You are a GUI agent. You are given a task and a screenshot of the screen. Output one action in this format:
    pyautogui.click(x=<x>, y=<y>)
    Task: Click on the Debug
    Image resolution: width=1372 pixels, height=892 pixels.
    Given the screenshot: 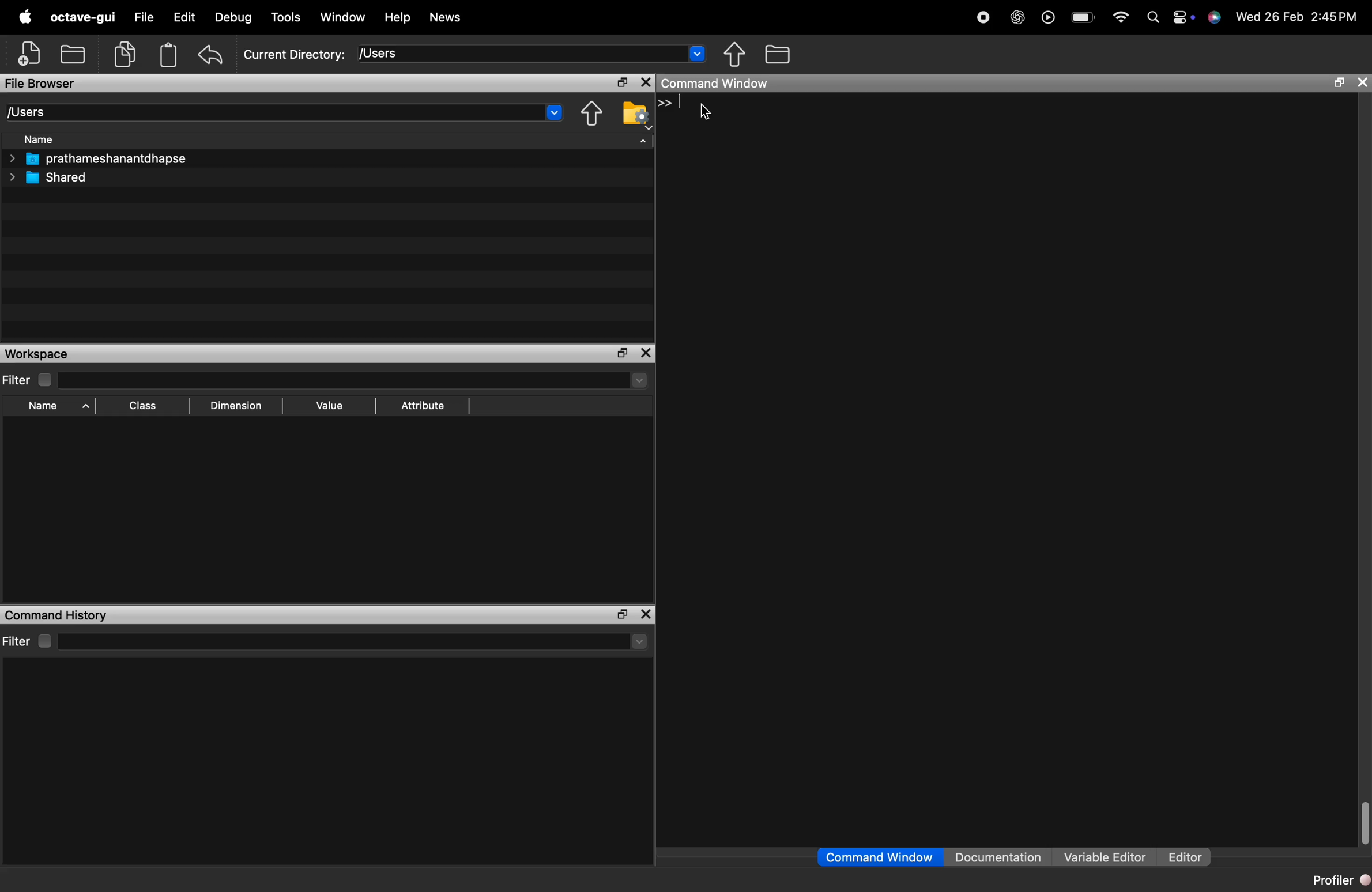 What is the action you would take?
    pyautogui.click(x=235, y=17)
    